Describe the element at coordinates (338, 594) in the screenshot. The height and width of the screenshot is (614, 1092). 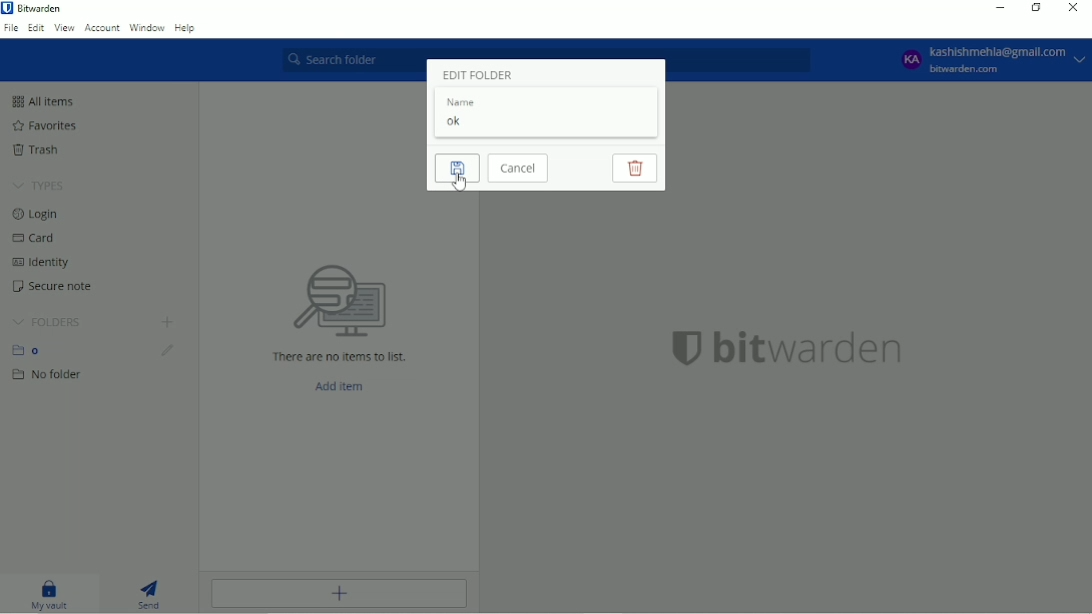
I see `Add item` at that location.